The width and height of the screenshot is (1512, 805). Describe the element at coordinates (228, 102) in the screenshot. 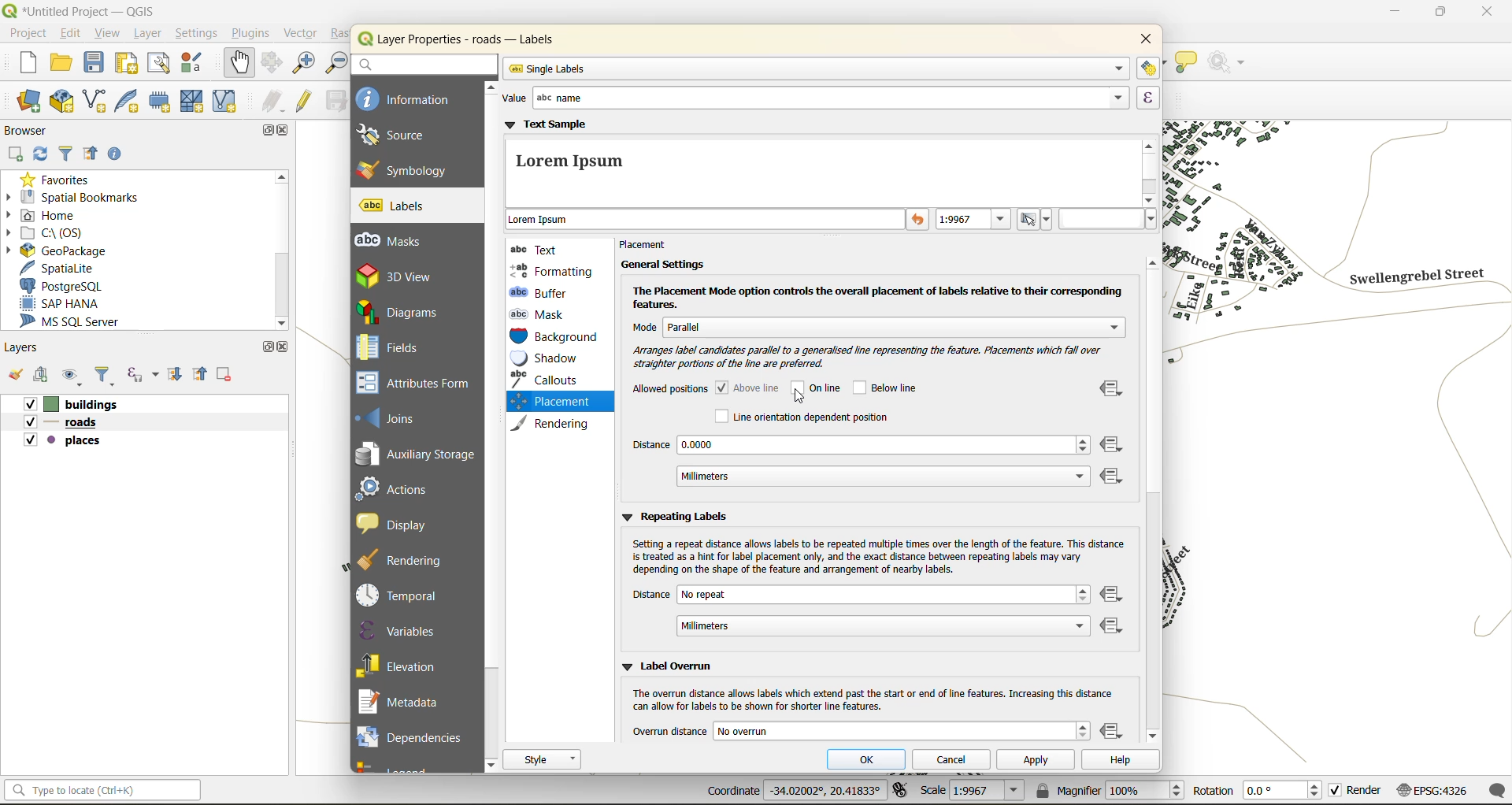

I see `new virtual layer` at that location.